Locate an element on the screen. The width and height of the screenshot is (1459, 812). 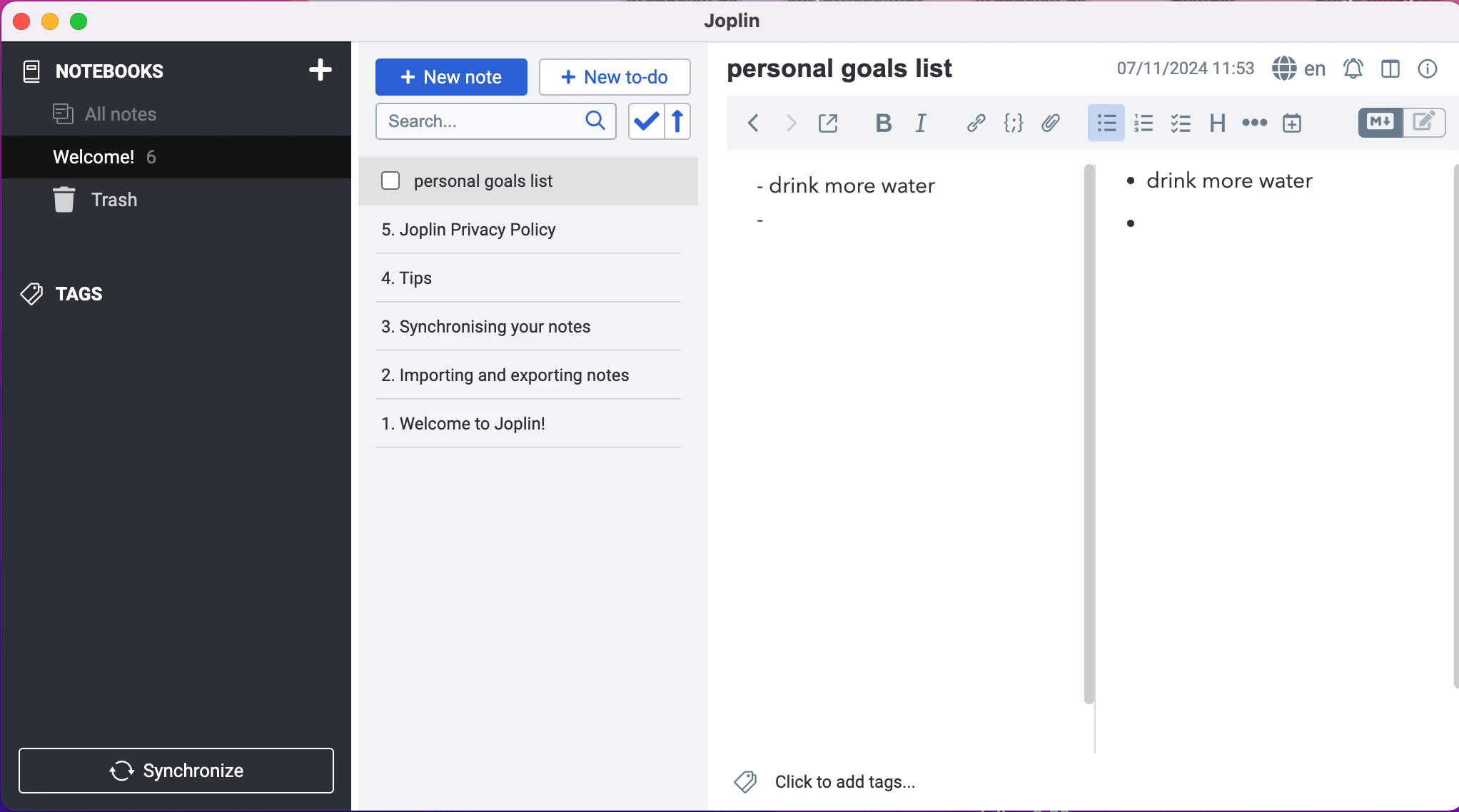
maximize is located at coordinates (85, 24).